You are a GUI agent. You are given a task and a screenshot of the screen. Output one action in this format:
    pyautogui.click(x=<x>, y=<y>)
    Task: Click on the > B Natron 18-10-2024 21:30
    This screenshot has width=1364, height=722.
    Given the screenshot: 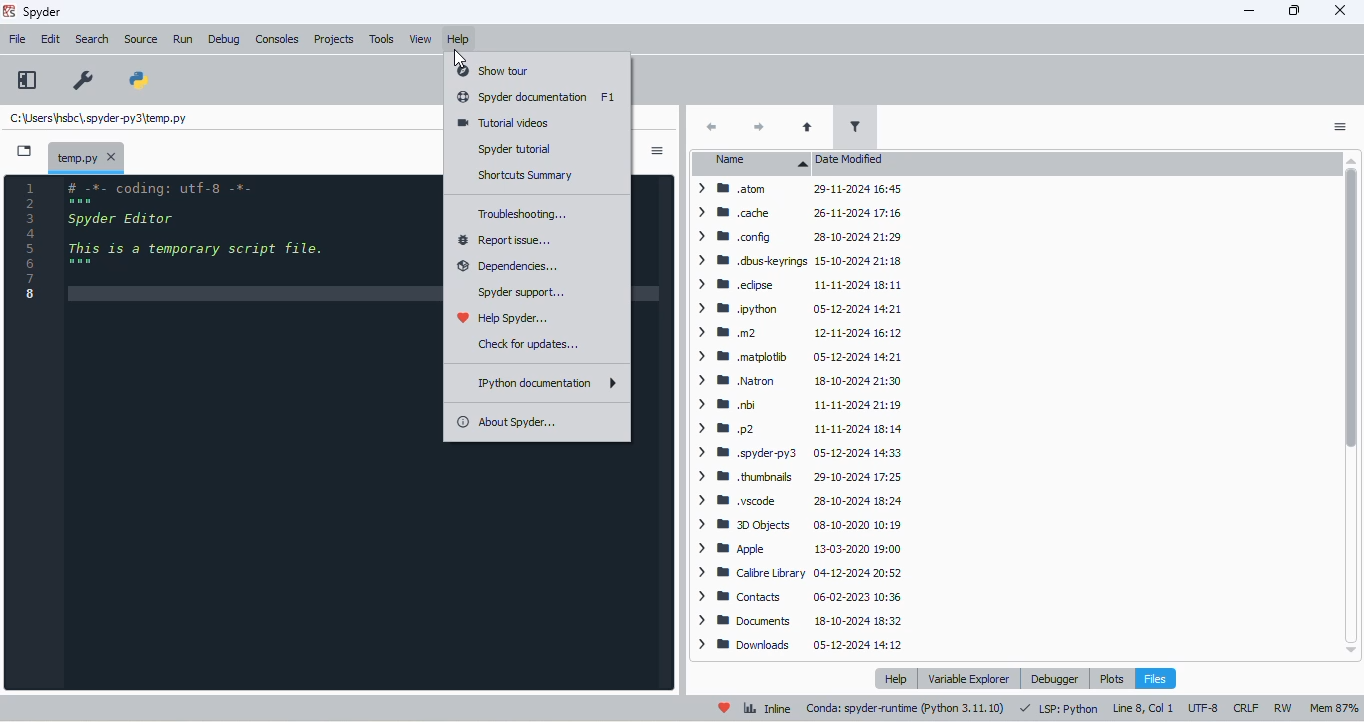 What is the action you would take?
    pyautogui.click(x=797, y=381)
    